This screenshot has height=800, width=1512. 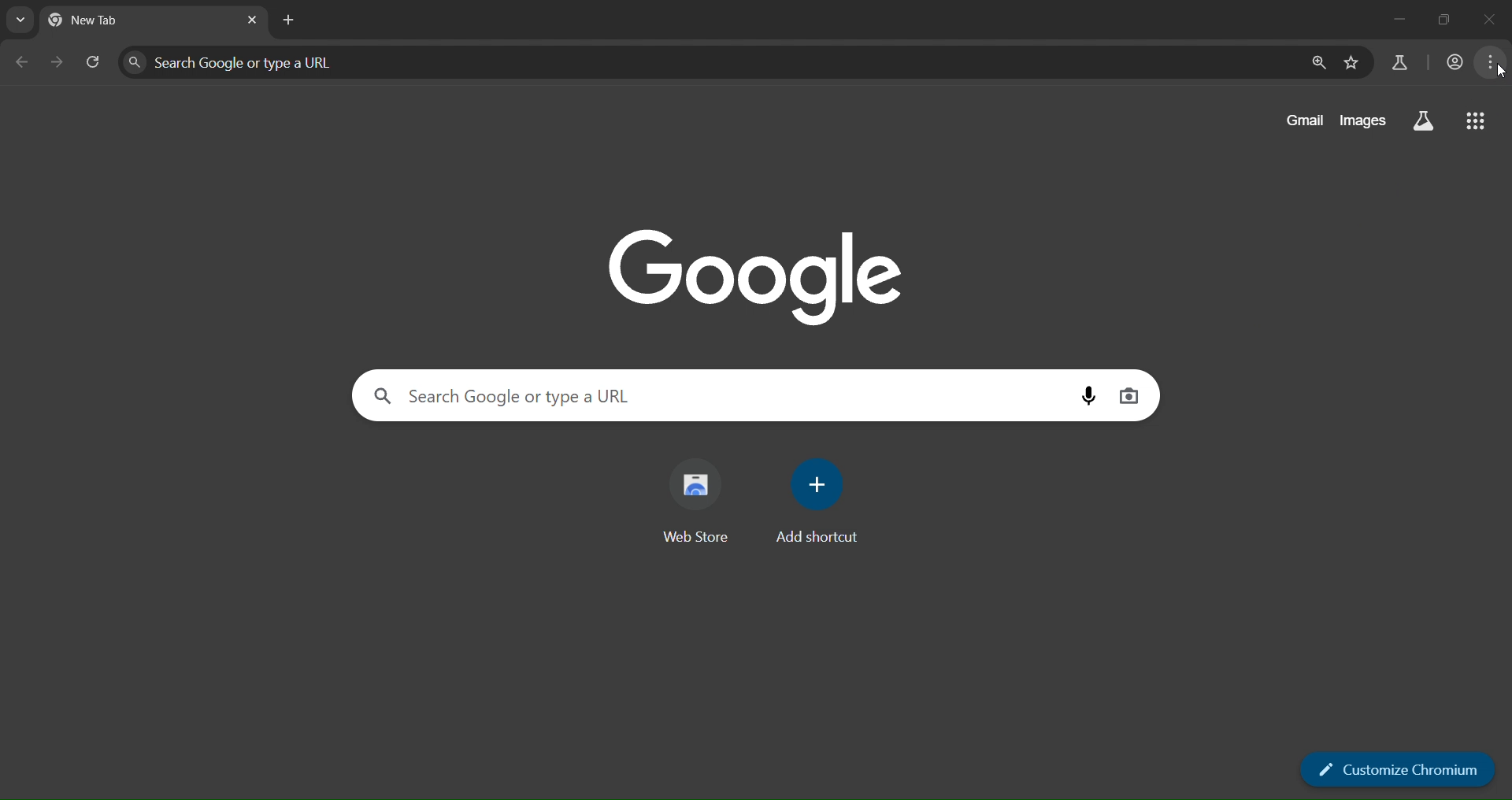 I want to click on web store, so click(x=704, y=501).